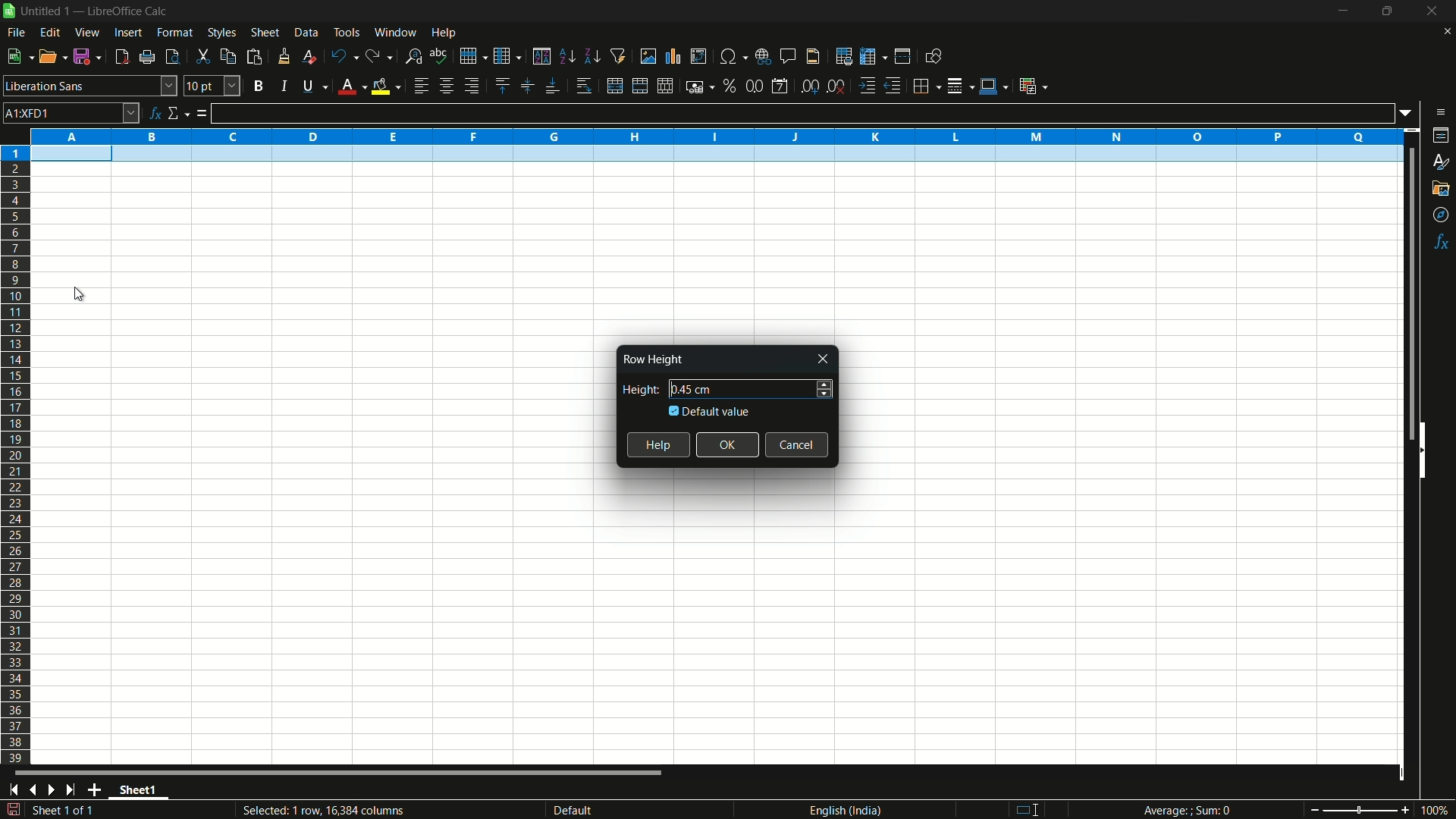 Image resolution: width=1456 pixels, height=819 pixels. Describe the element at coordinates (708, 155) in the screenshot. I see `selected row` at that location.